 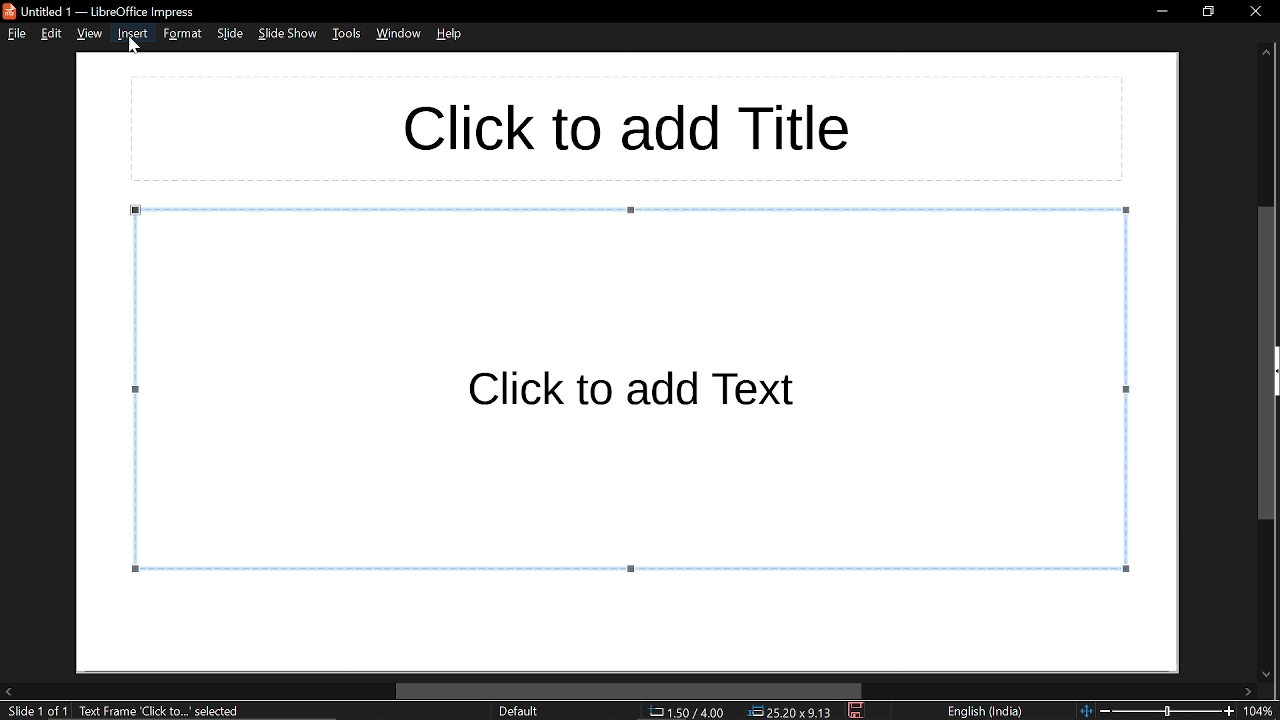 I want to click on Space for title, so click(x=625, y=129).